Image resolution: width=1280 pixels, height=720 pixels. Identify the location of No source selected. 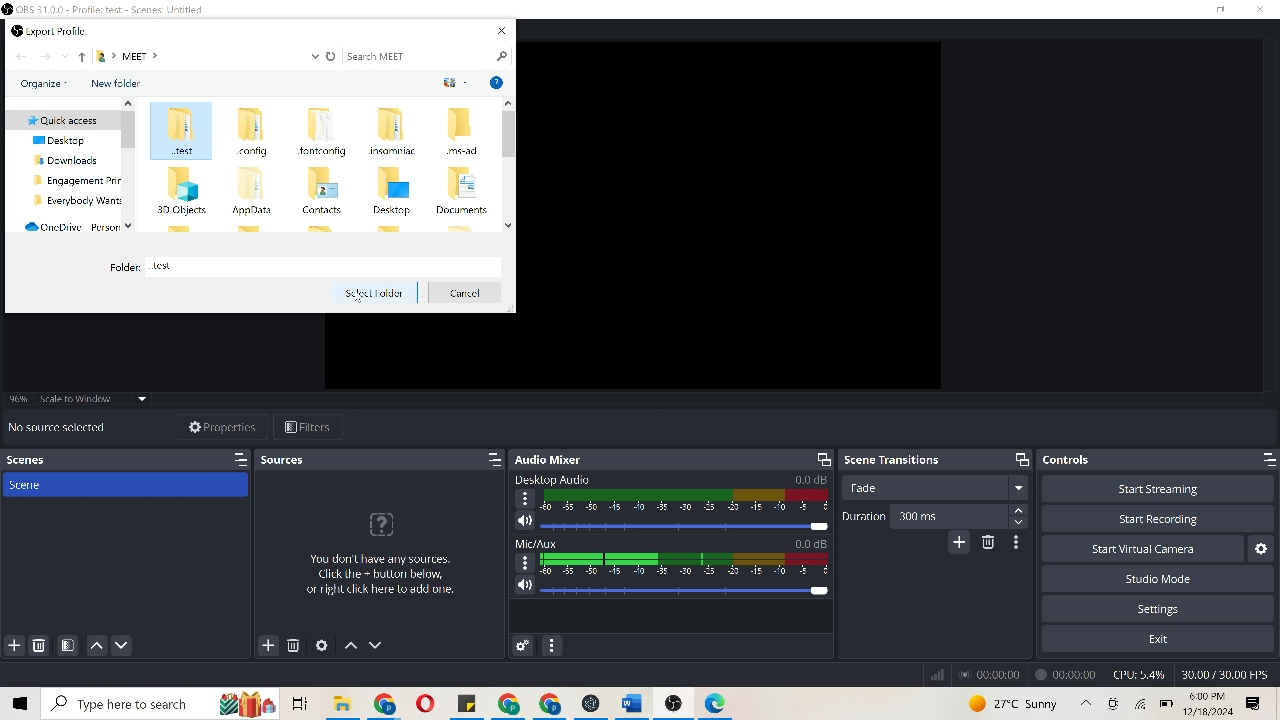
(59, 427).